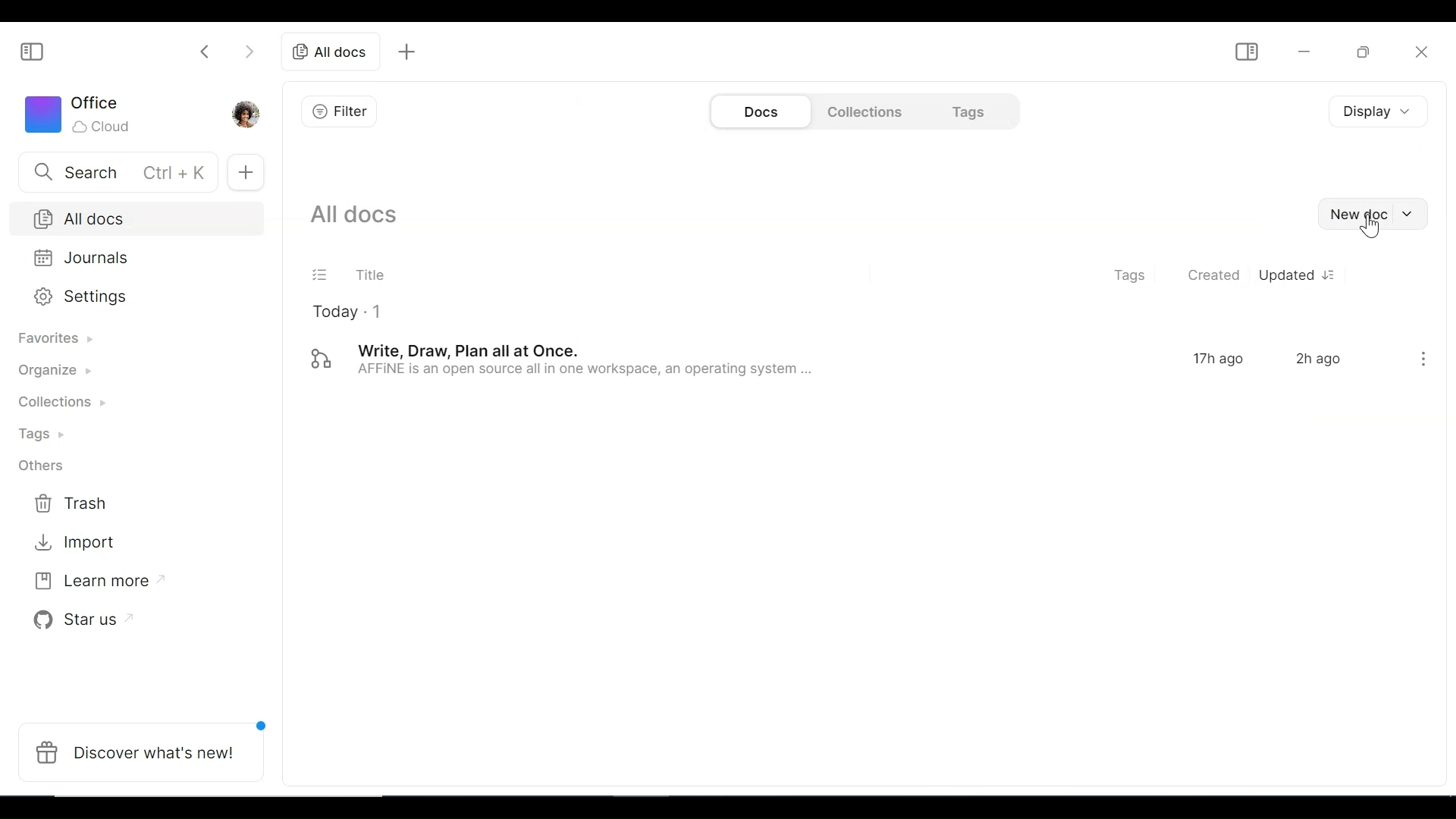  I want to click on minimize, so click(1304, 50).